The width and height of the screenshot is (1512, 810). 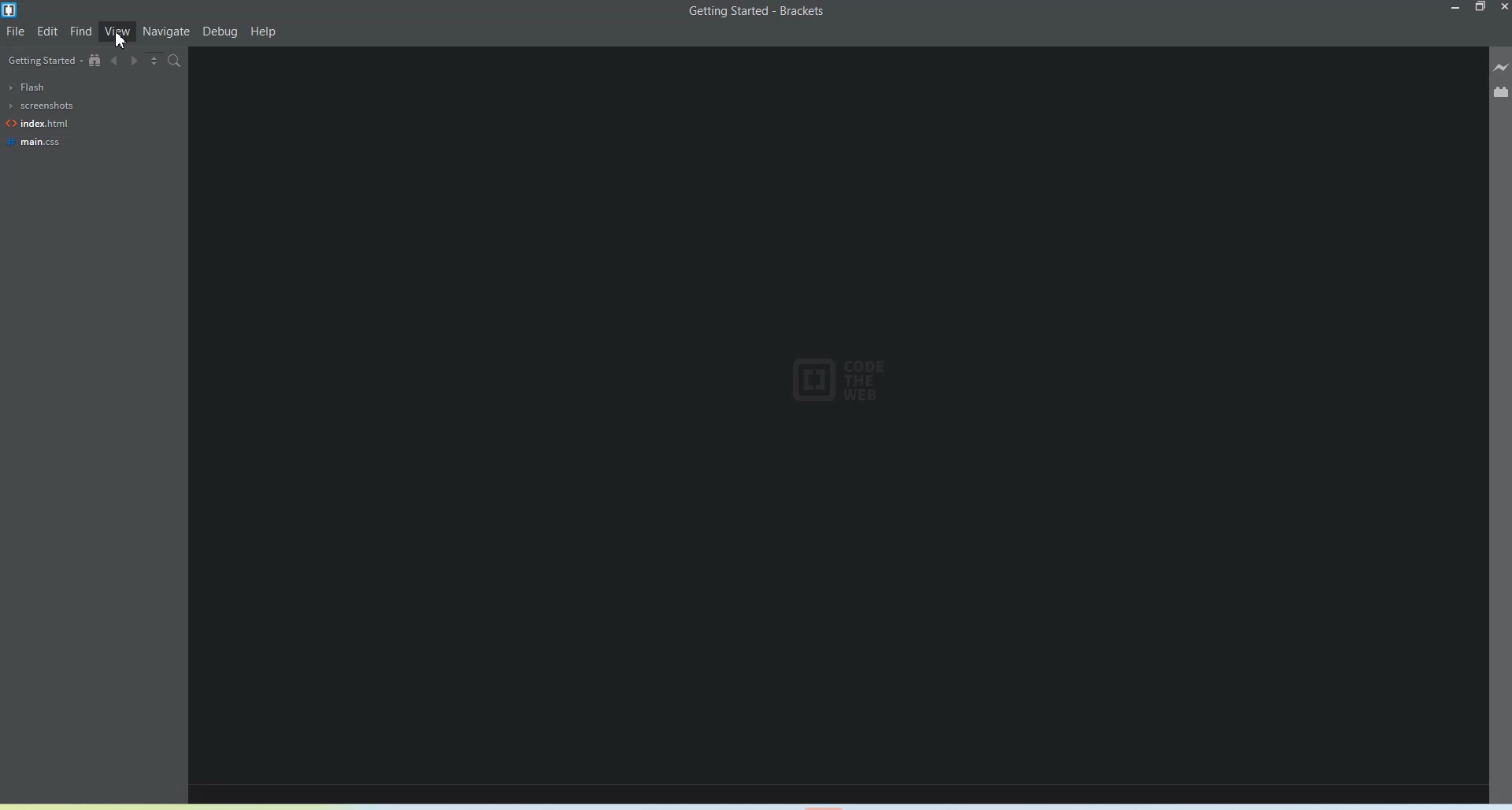 I want to click on Split the editor vertically and Horizontally, so click(x=154, y=61).